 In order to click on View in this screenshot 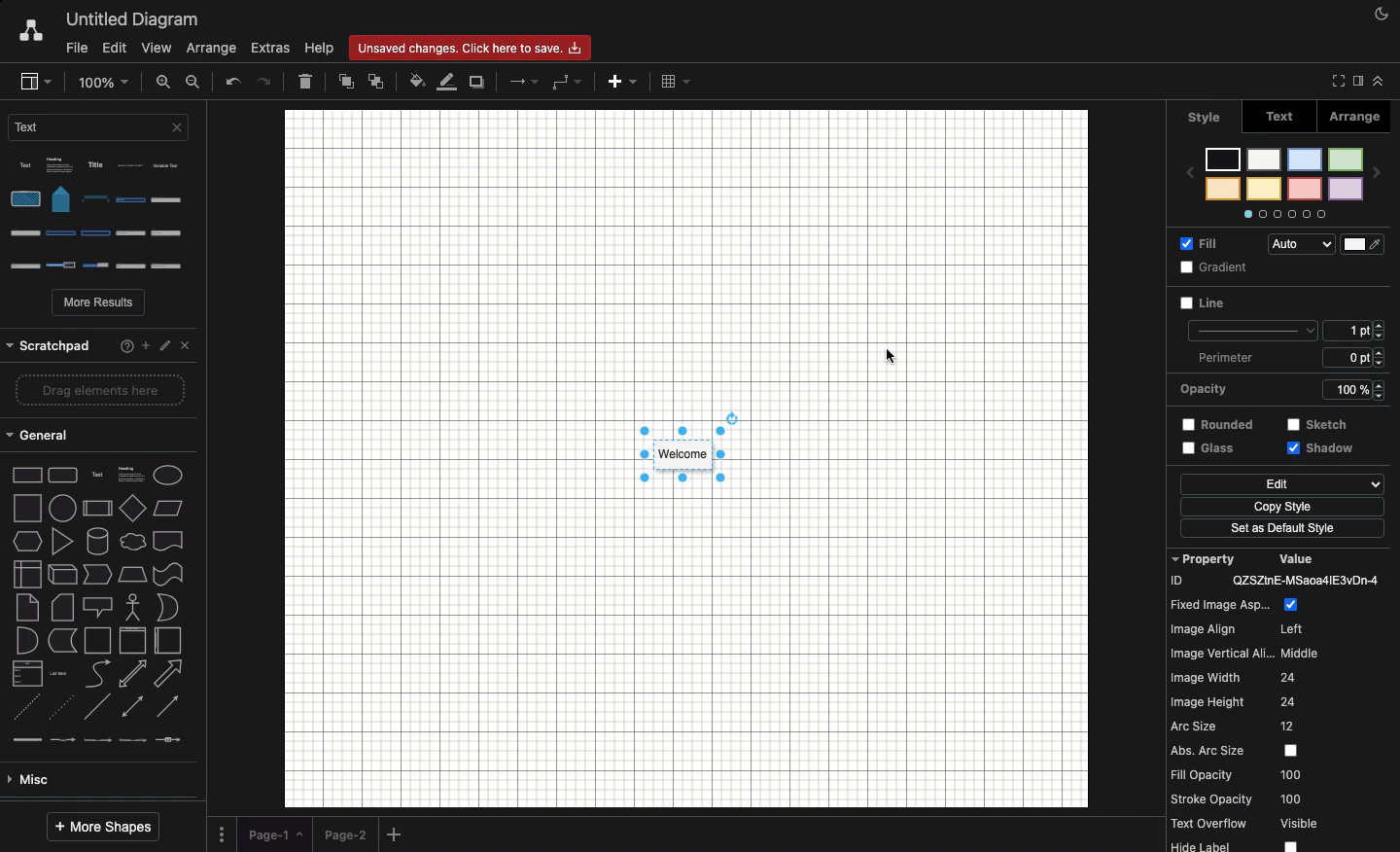, I will do `click(157, 50)`.